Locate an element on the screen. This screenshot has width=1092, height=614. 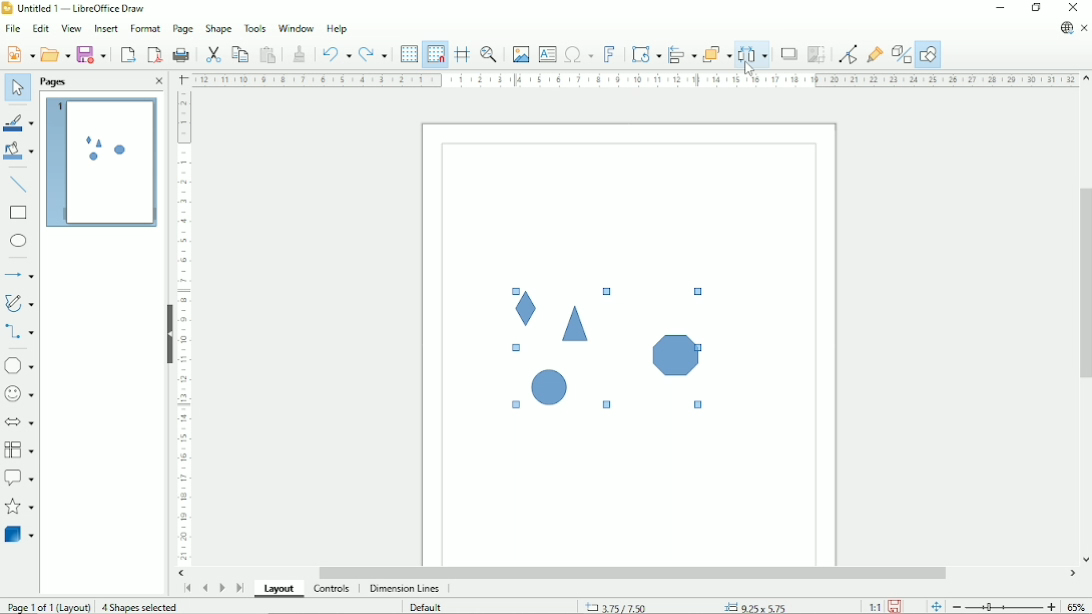
Line color is located at coordinates (21, 123).